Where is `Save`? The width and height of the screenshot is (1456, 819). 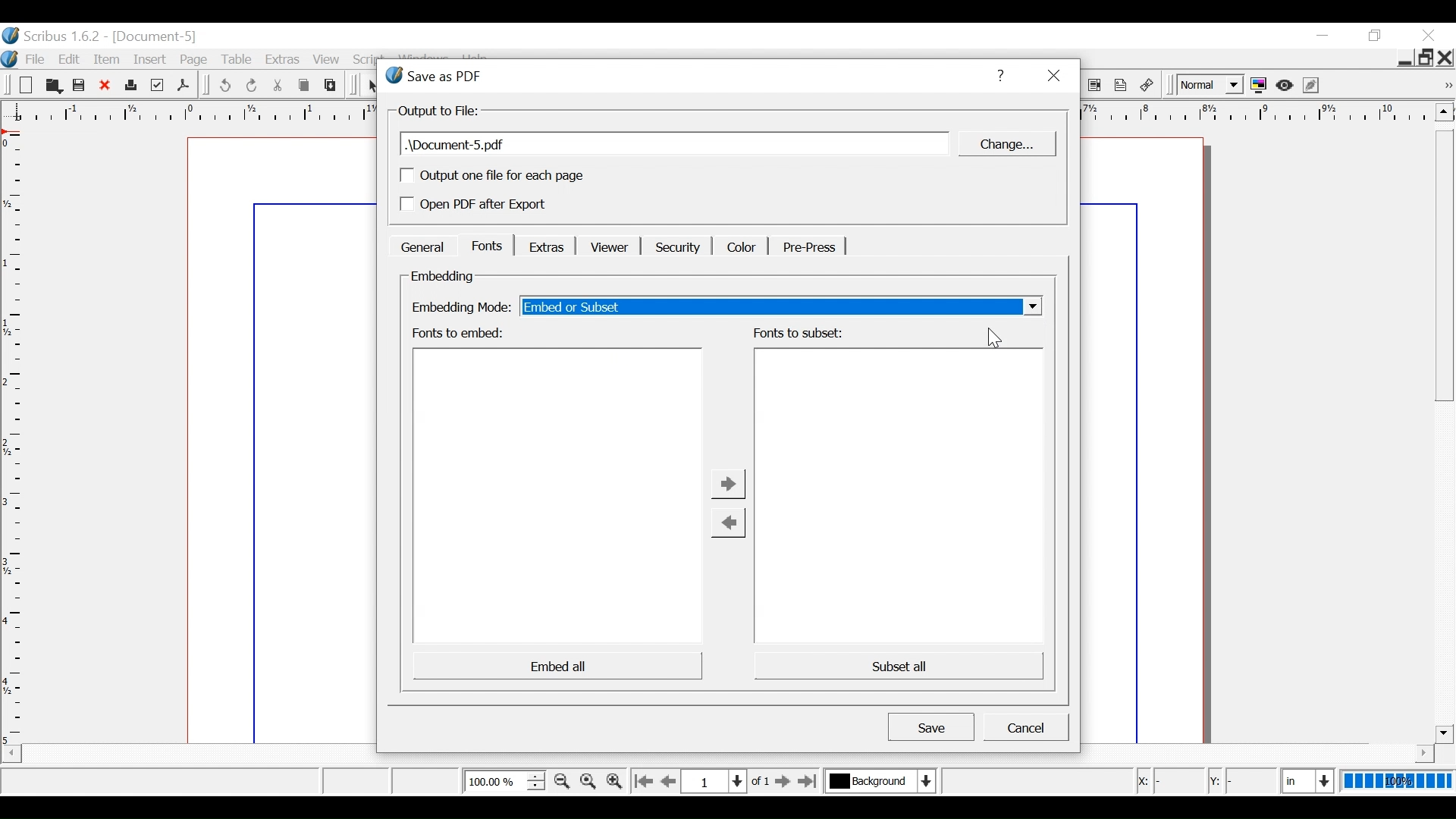 Save is located at coordinates (931, 726).